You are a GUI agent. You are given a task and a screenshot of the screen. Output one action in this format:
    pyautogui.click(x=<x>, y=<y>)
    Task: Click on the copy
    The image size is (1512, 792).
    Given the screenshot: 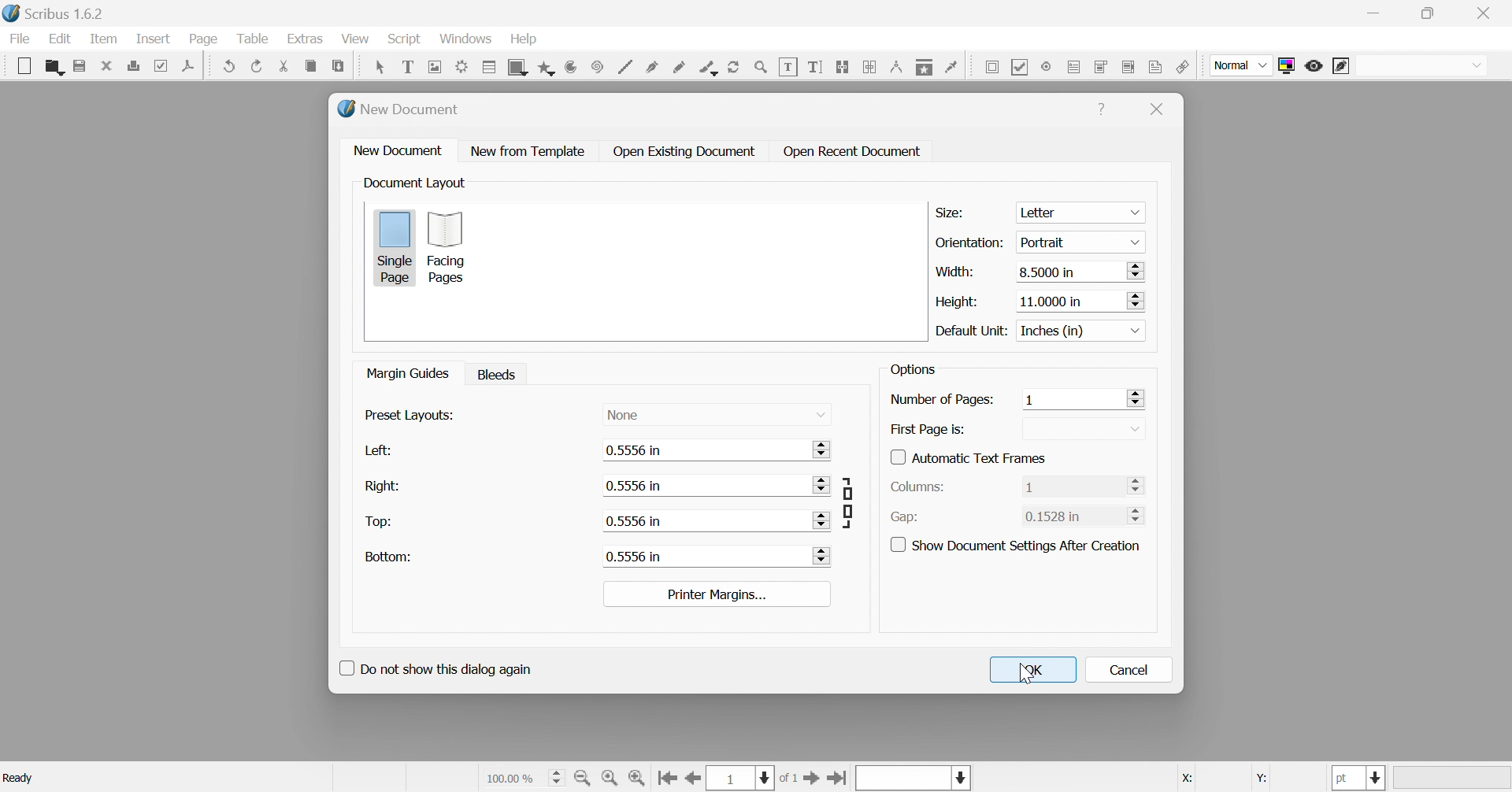 What is the action you would take?
    pyautogui.click(x=313, y=65)
    